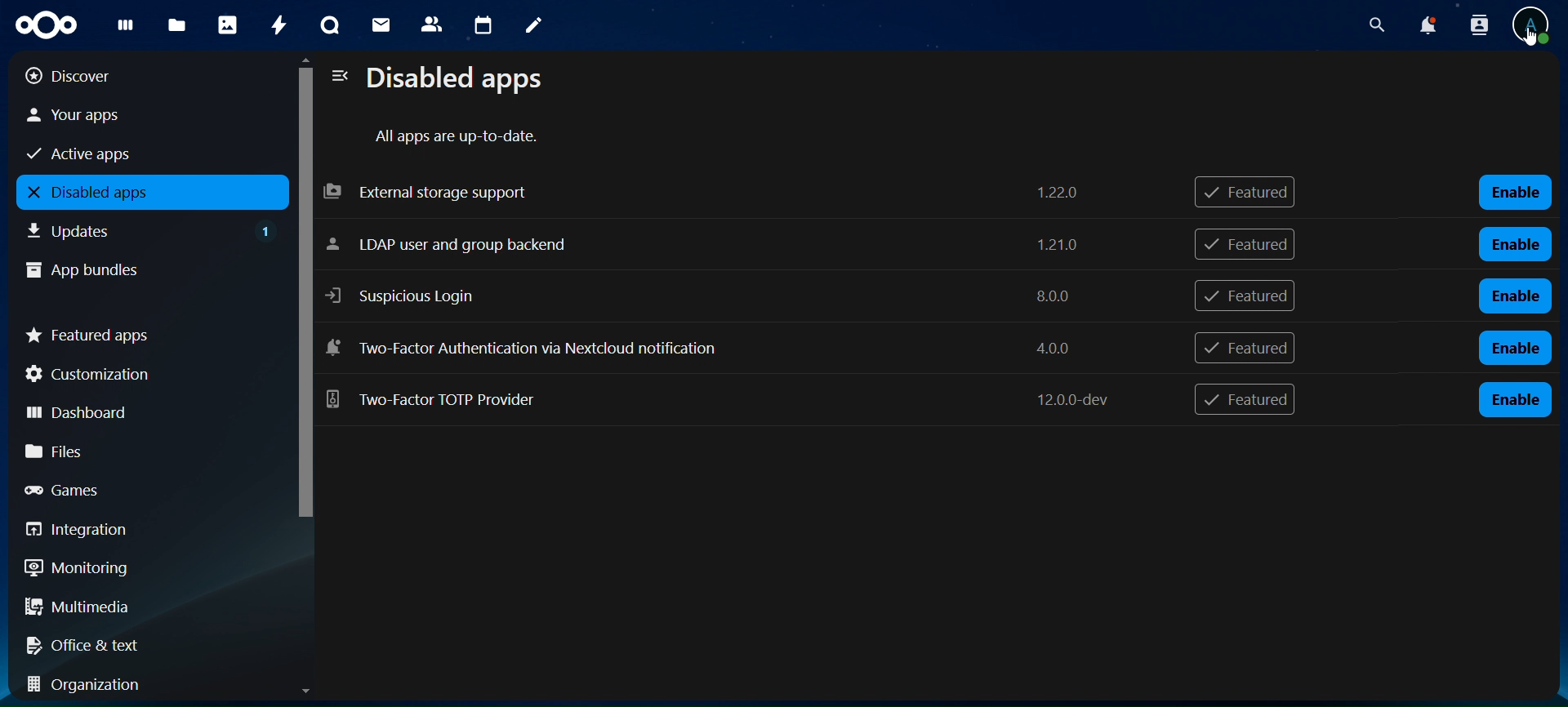 This screenshot has width=1568, height=707. Describe the element at coordinates (145, 332) in the screenshot. I see `featured apps` at that location.